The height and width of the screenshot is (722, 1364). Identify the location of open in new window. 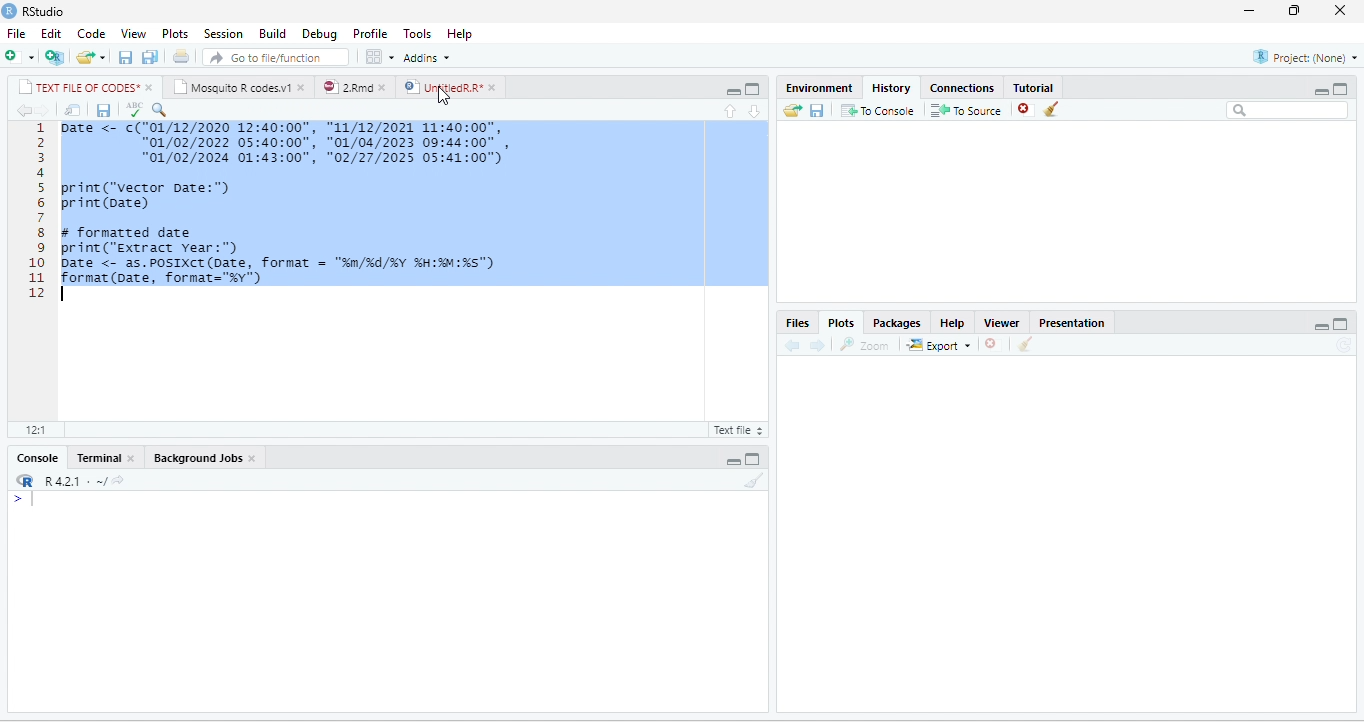
(74, 110).